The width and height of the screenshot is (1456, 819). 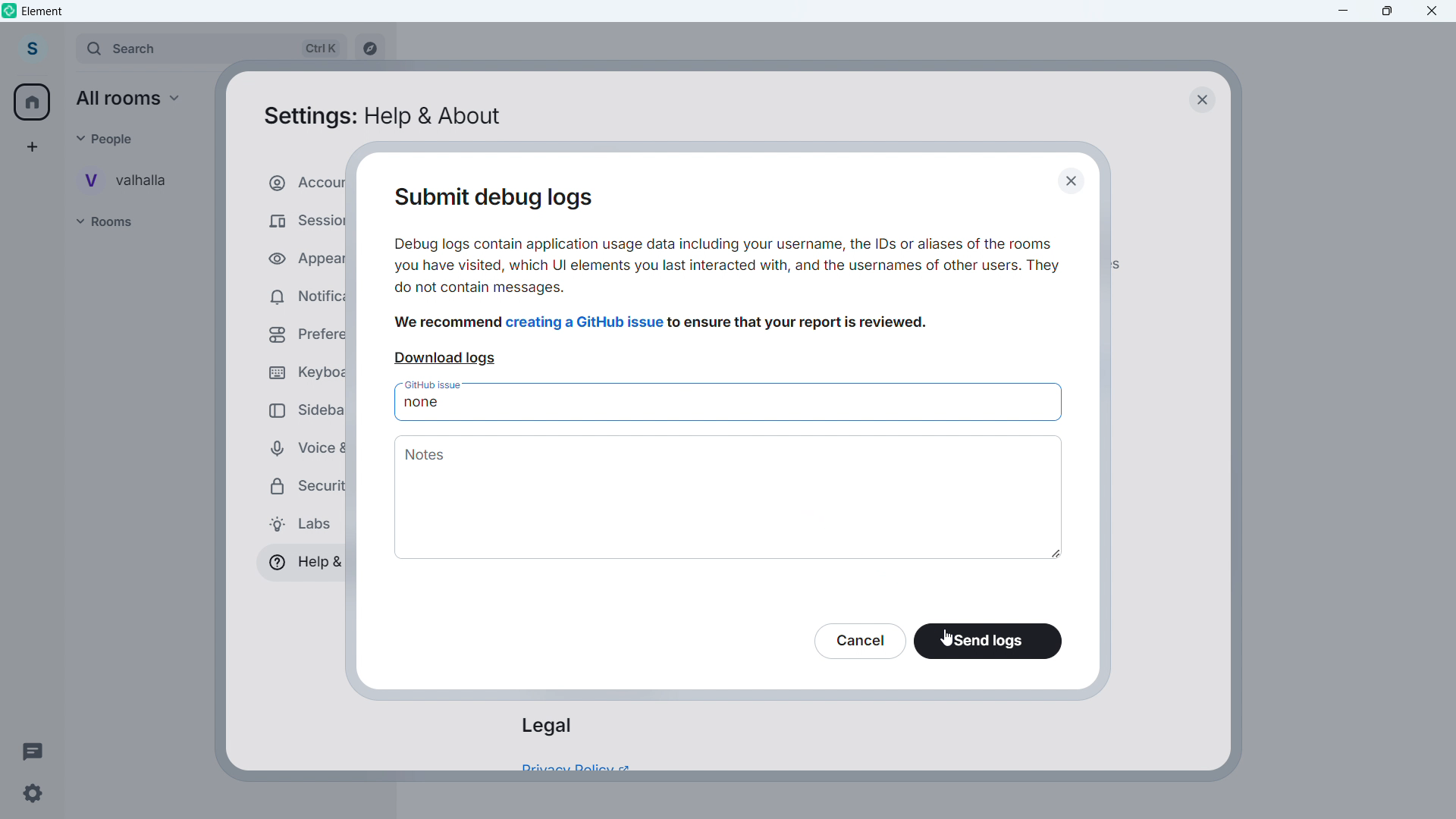 I want to click on Submit debug logs, so click(x=507, y=199).